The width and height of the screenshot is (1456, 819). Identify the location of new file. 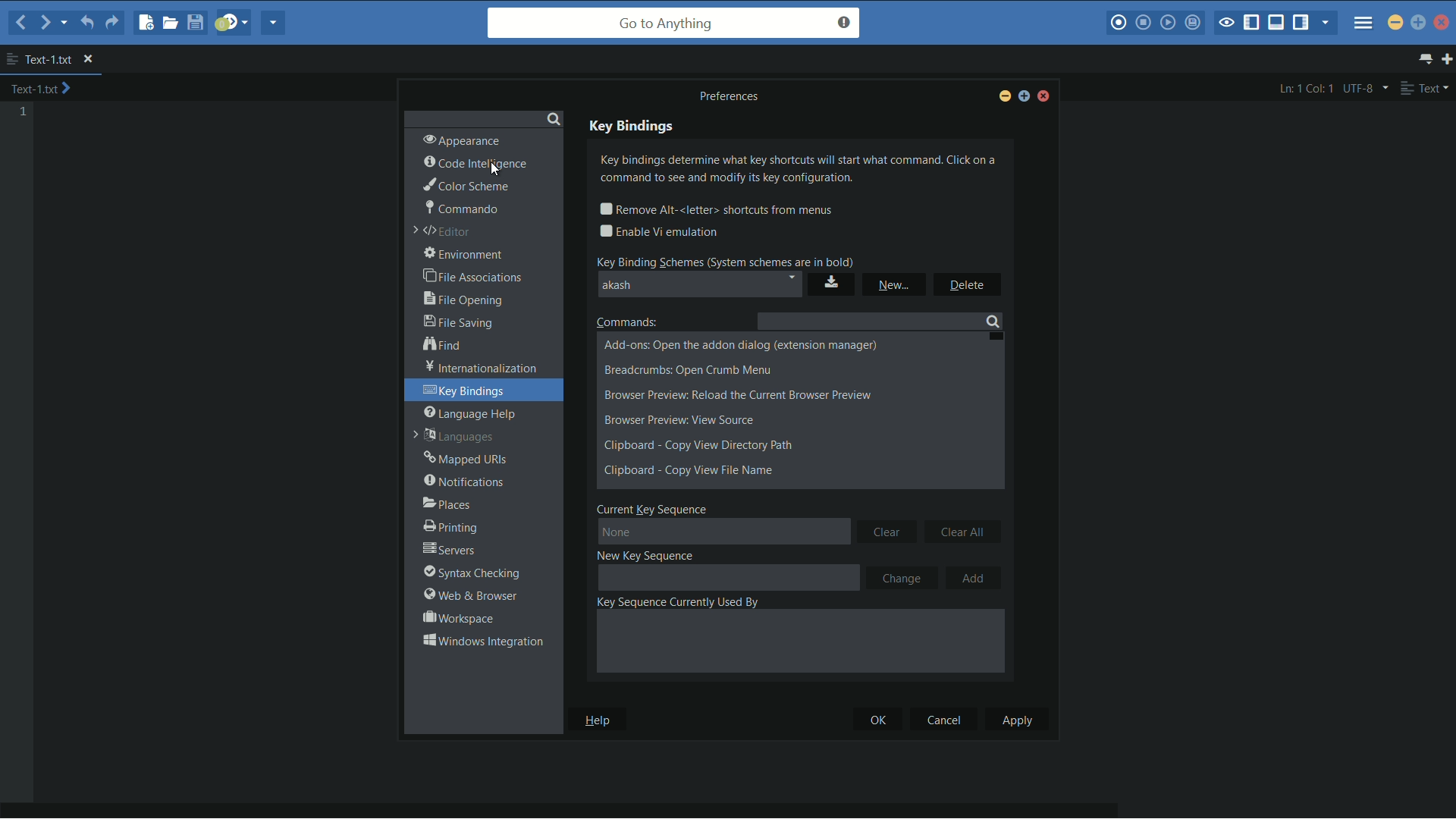
(146, 24).